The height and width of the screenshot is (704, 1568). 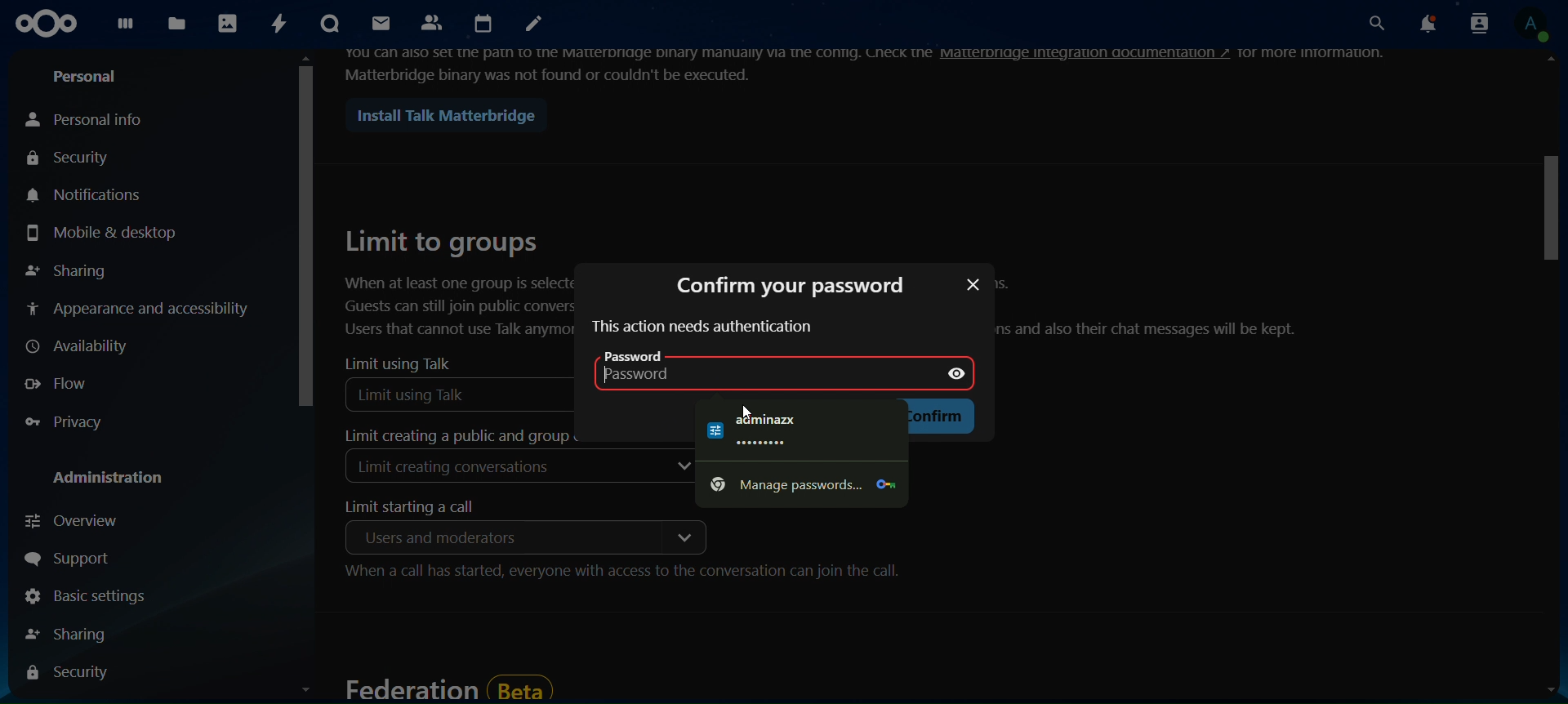 What do you see at coordinates (430, 537) in the screenshot?
I see `moderators only` at bounding box center [430, 537].